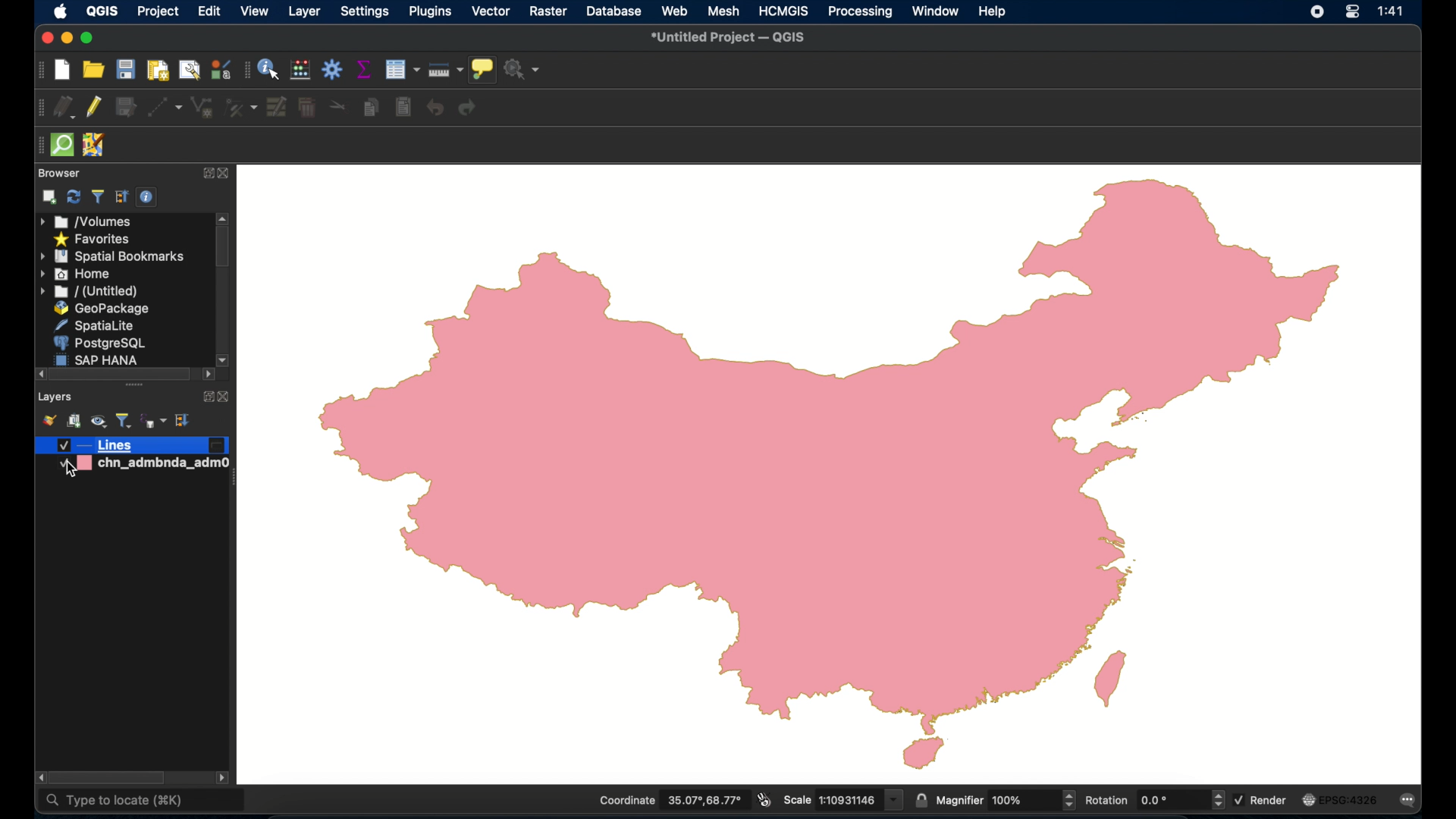 The height and width of the screenshot is (819, 1456). I want to click on open layout manager, so click(190, 70).